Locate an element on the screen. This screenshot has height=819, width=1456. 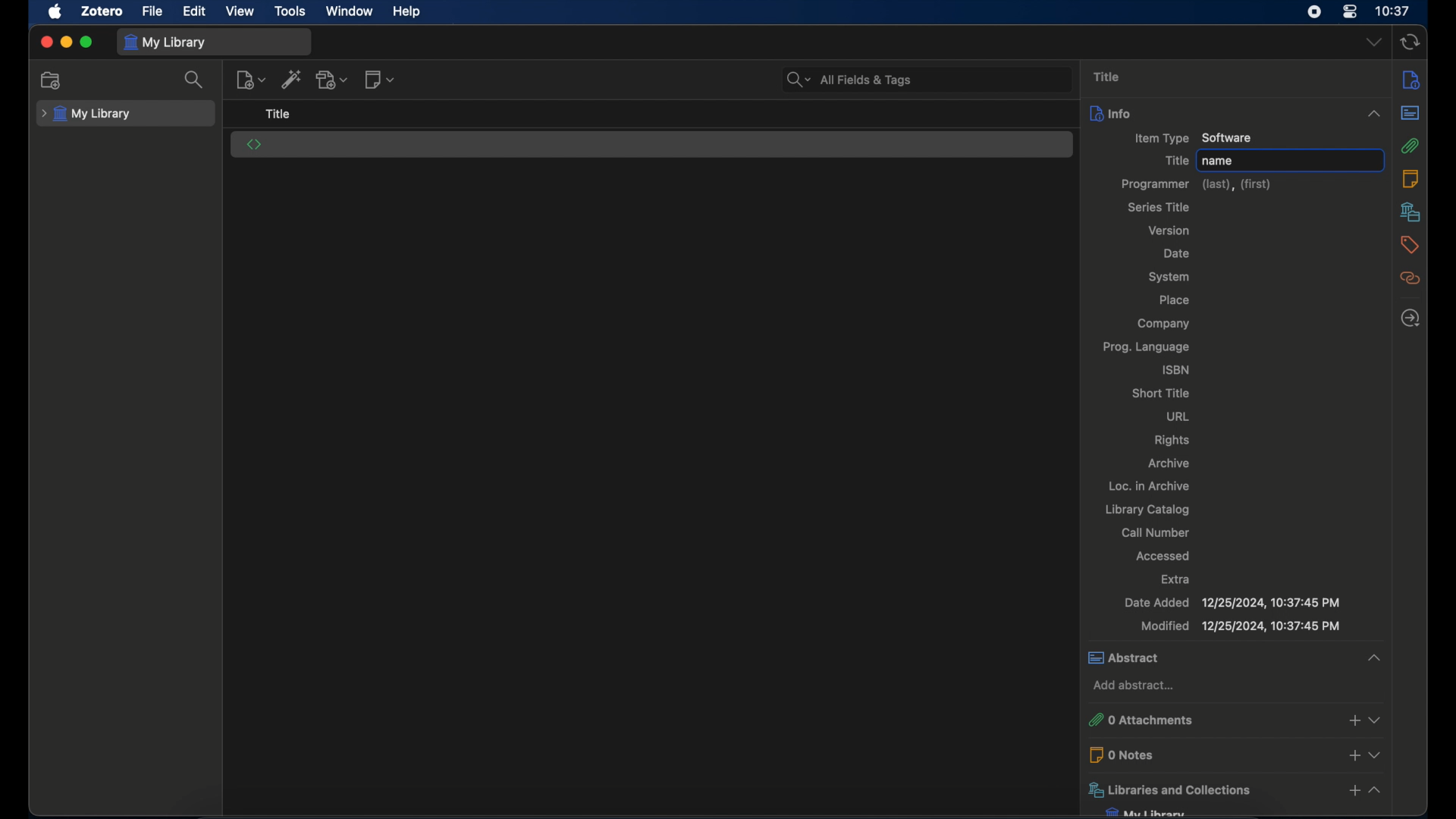
extra is located at coordinates (1178, 579).